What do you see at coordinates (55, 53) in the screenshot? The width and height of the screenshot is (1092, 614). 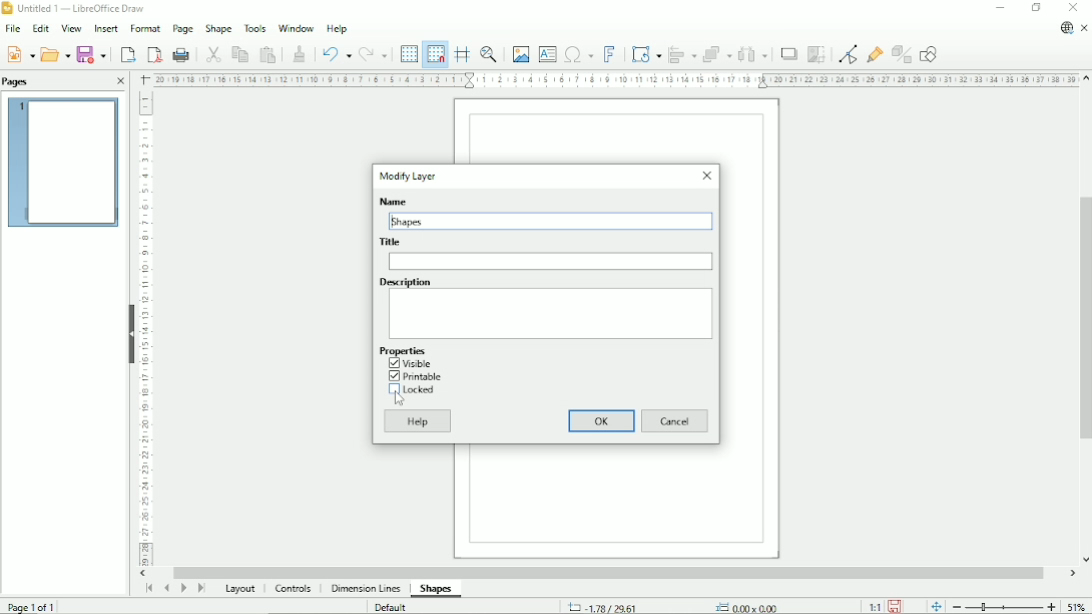 I see `Open ` at bounding box center [55, 53].